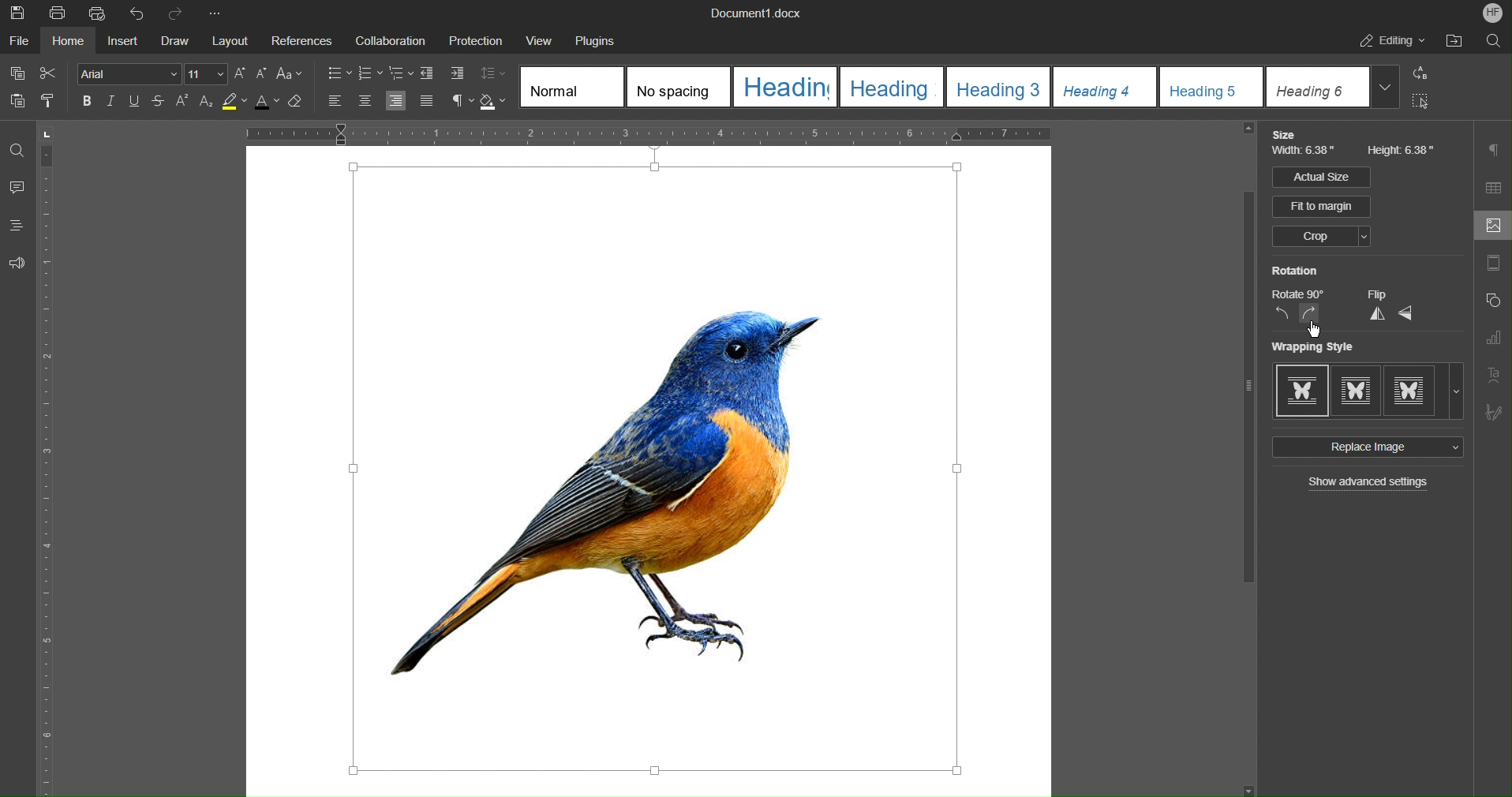 The height and width of the screenshot is (797, 1512). Describe the element at coordinates (1321, 237) in the screenshot. I see `Crop` at that location.